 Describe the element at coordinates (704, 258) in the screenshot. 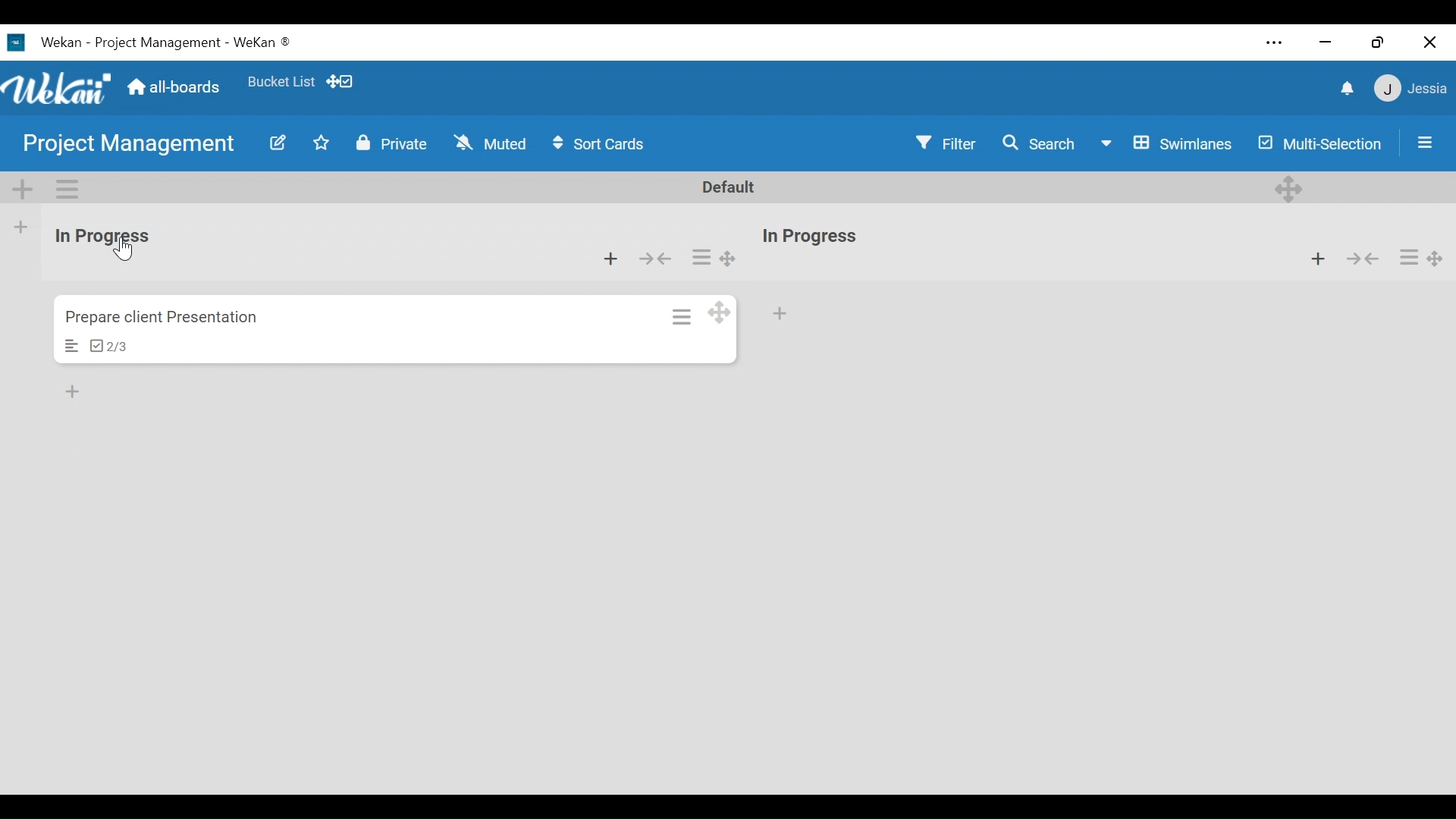

I see `list action` at that location.